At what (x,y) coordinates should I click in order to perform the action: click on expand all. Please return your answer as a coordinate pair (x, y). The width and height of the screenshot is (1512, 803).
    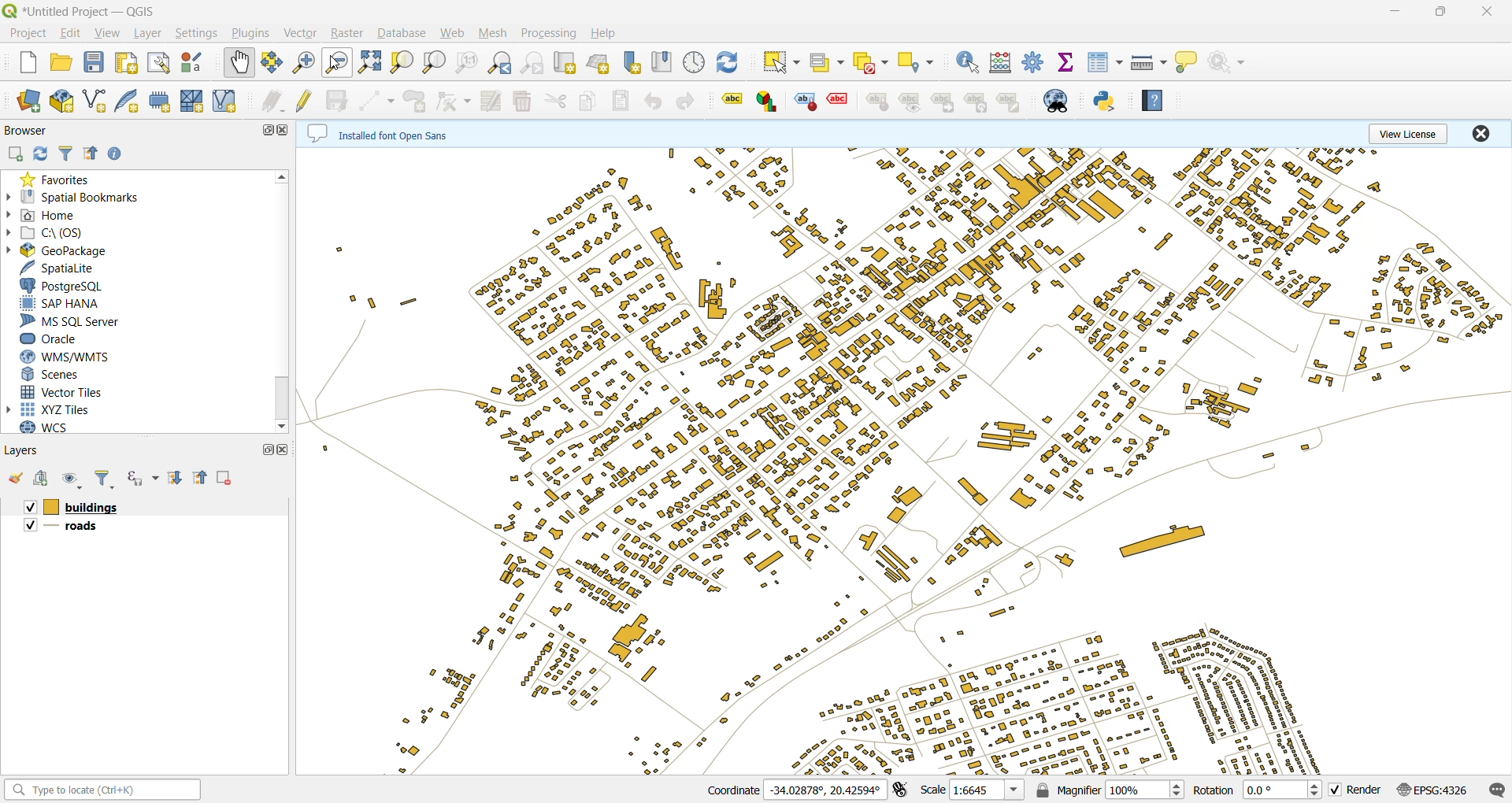
    Looking at the image, I should click on (171, 479).